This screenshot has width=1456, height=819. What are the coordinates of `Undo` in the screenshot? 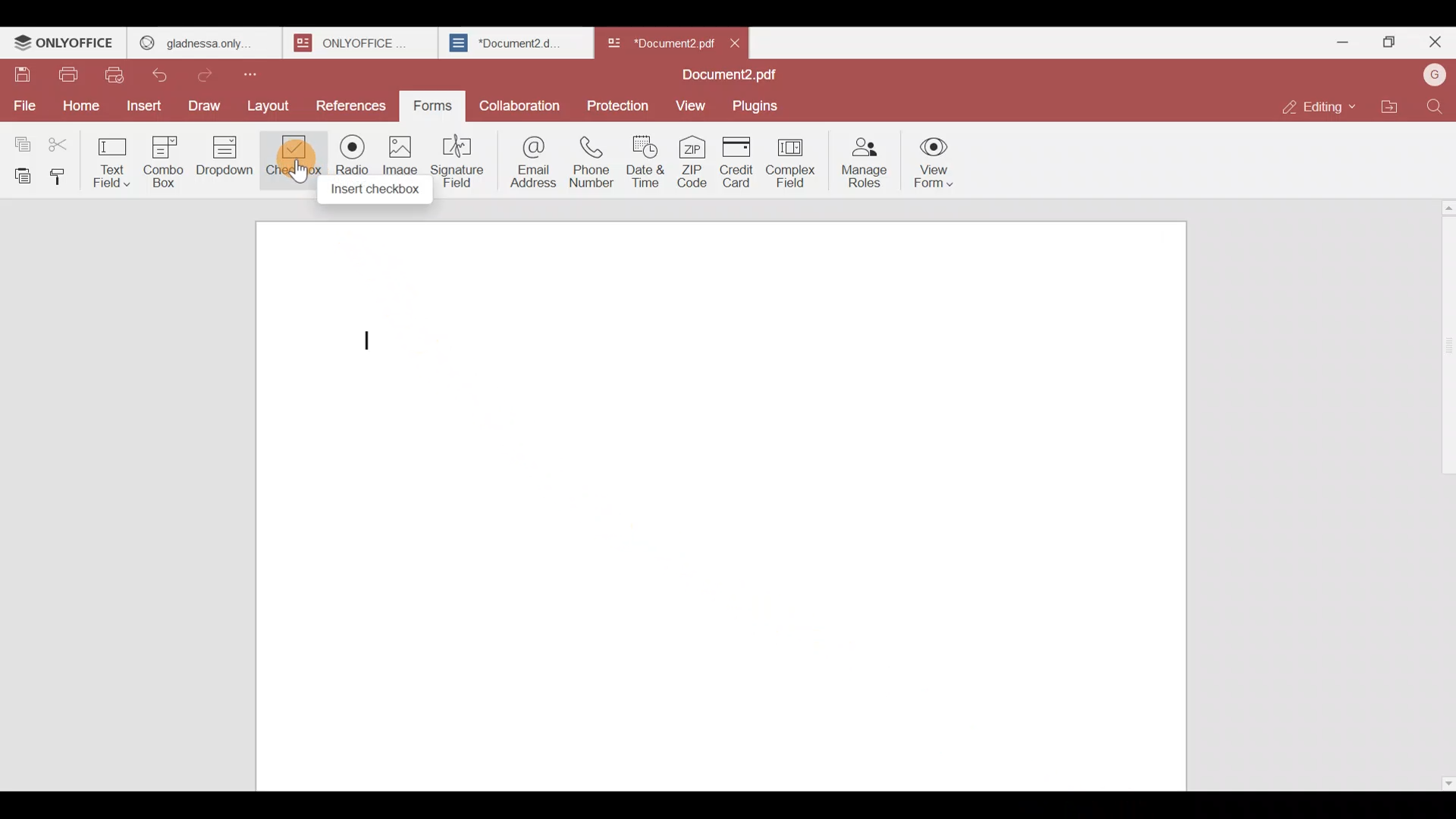 It's located at (167, 72).